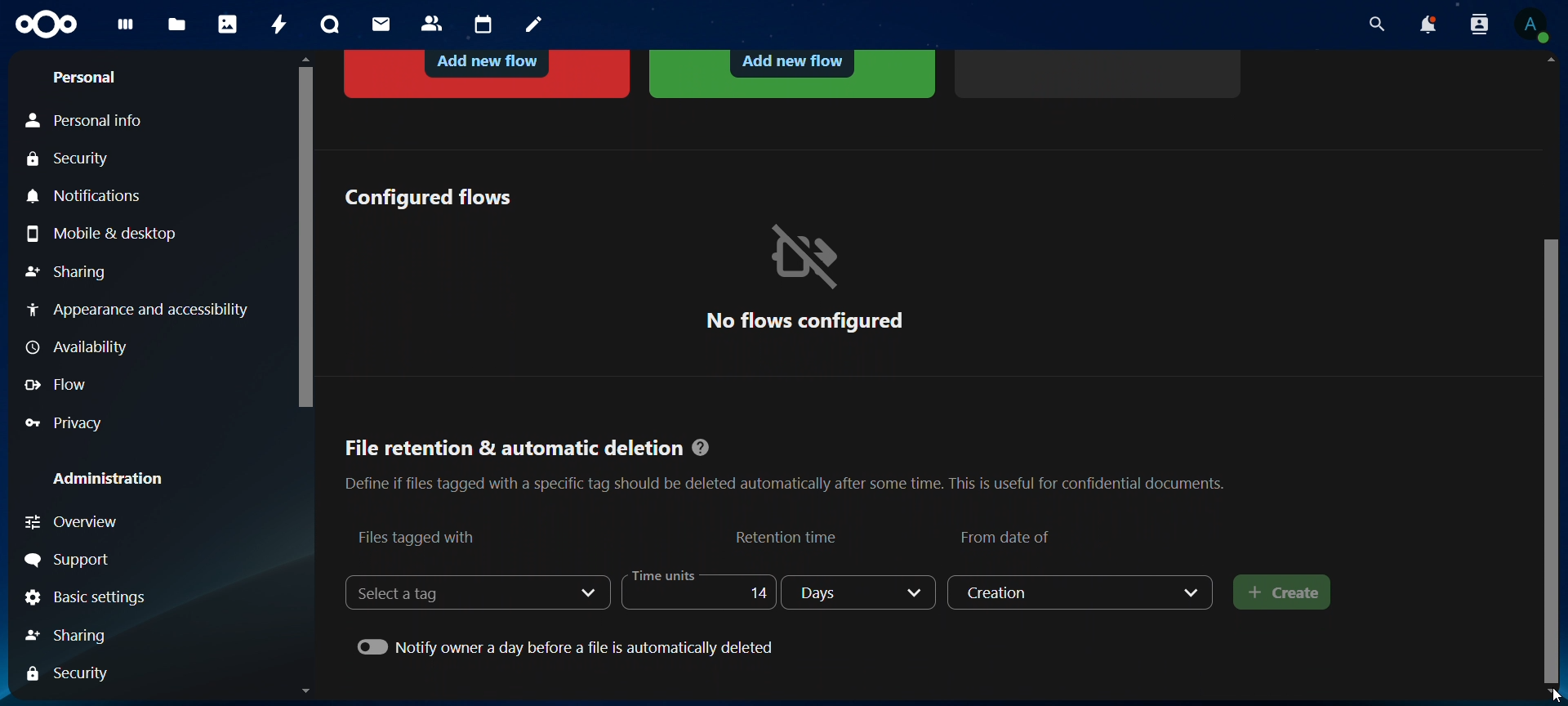 This screenshot has height=706, width=1568. I want to click on sharing, so click(66, 274).